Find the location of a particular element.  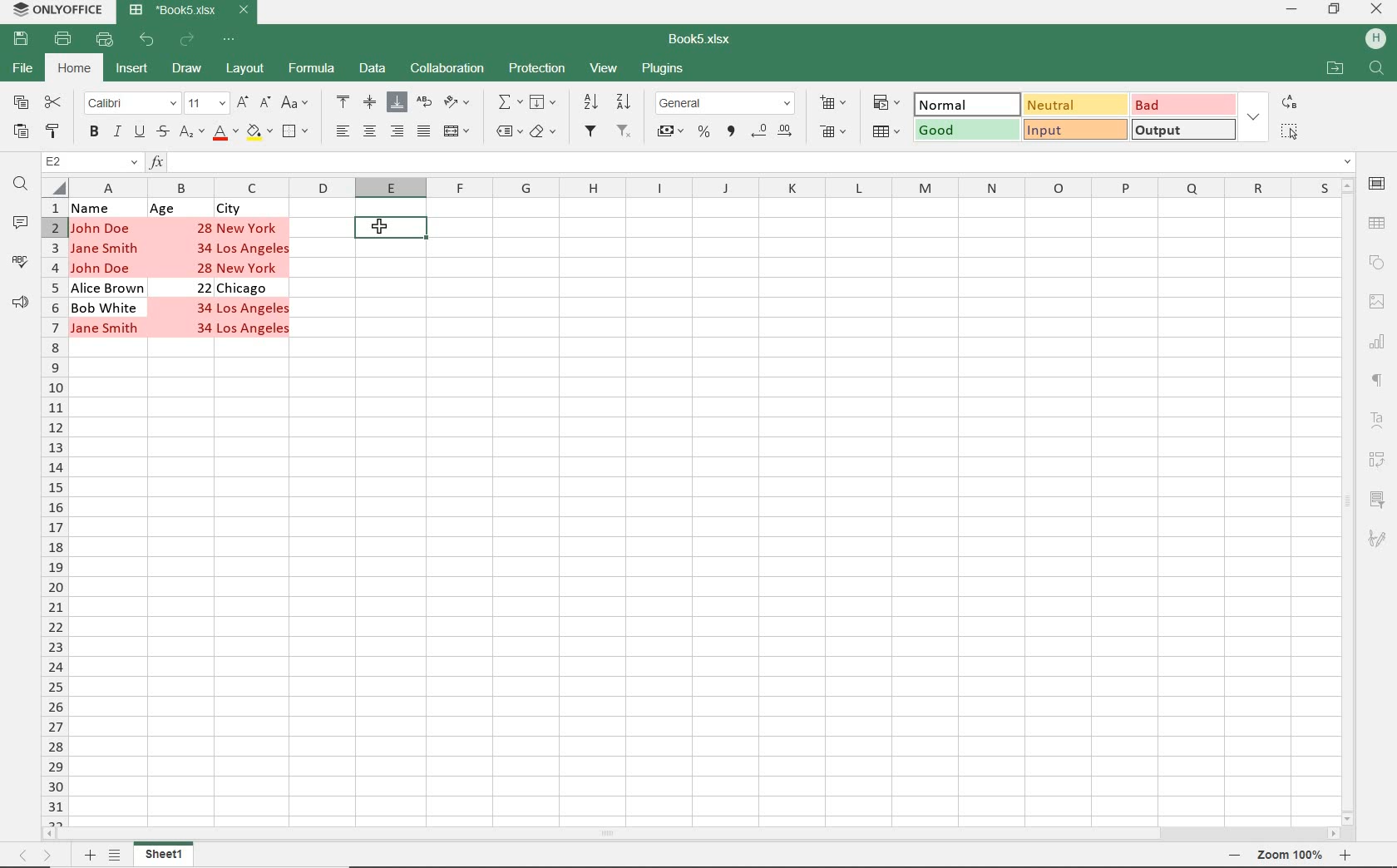

ROWS is located at coordinates (53, 487).